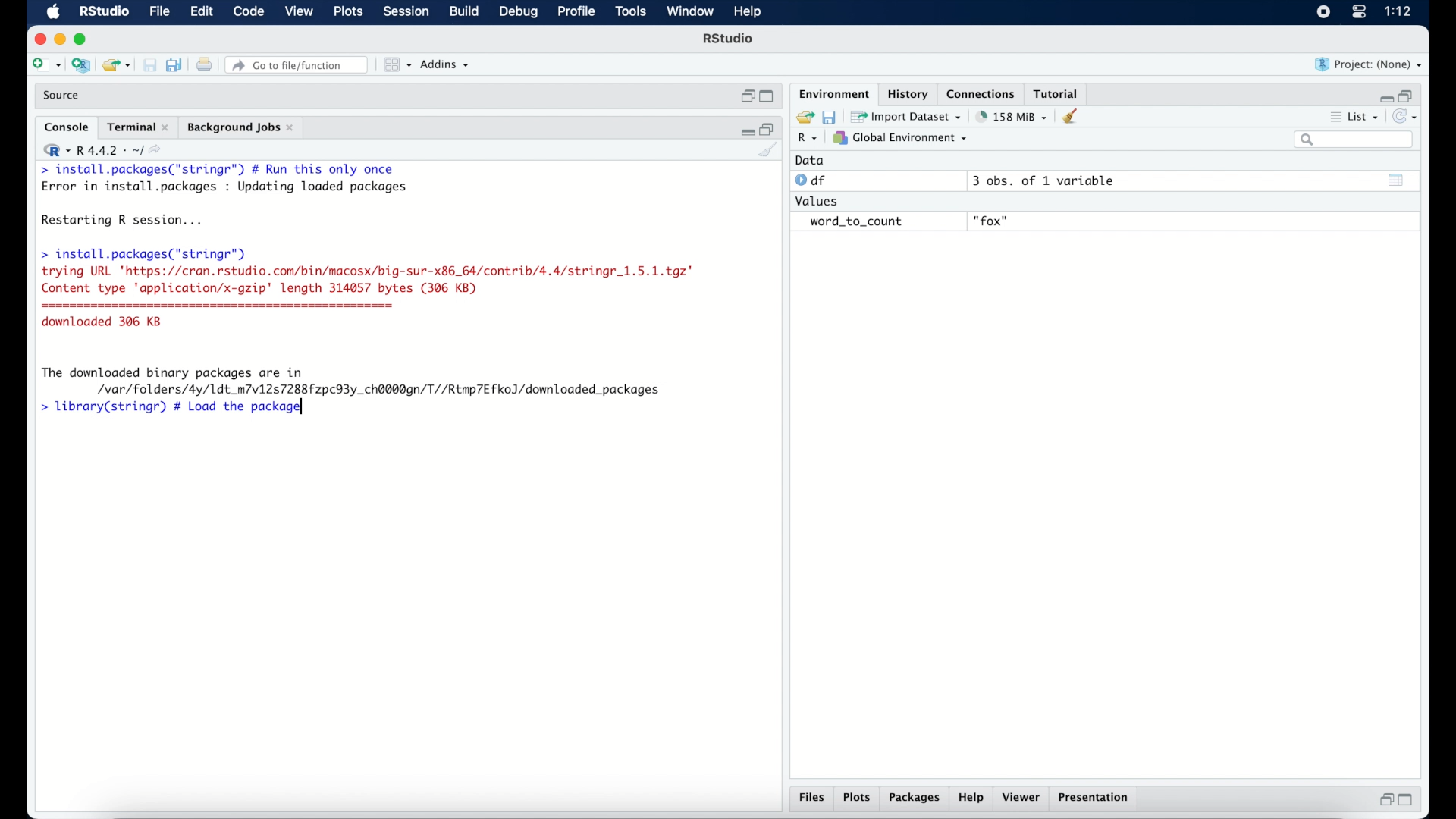 The image size is (1456, 819). I want to click on connections, so click(983, 93).